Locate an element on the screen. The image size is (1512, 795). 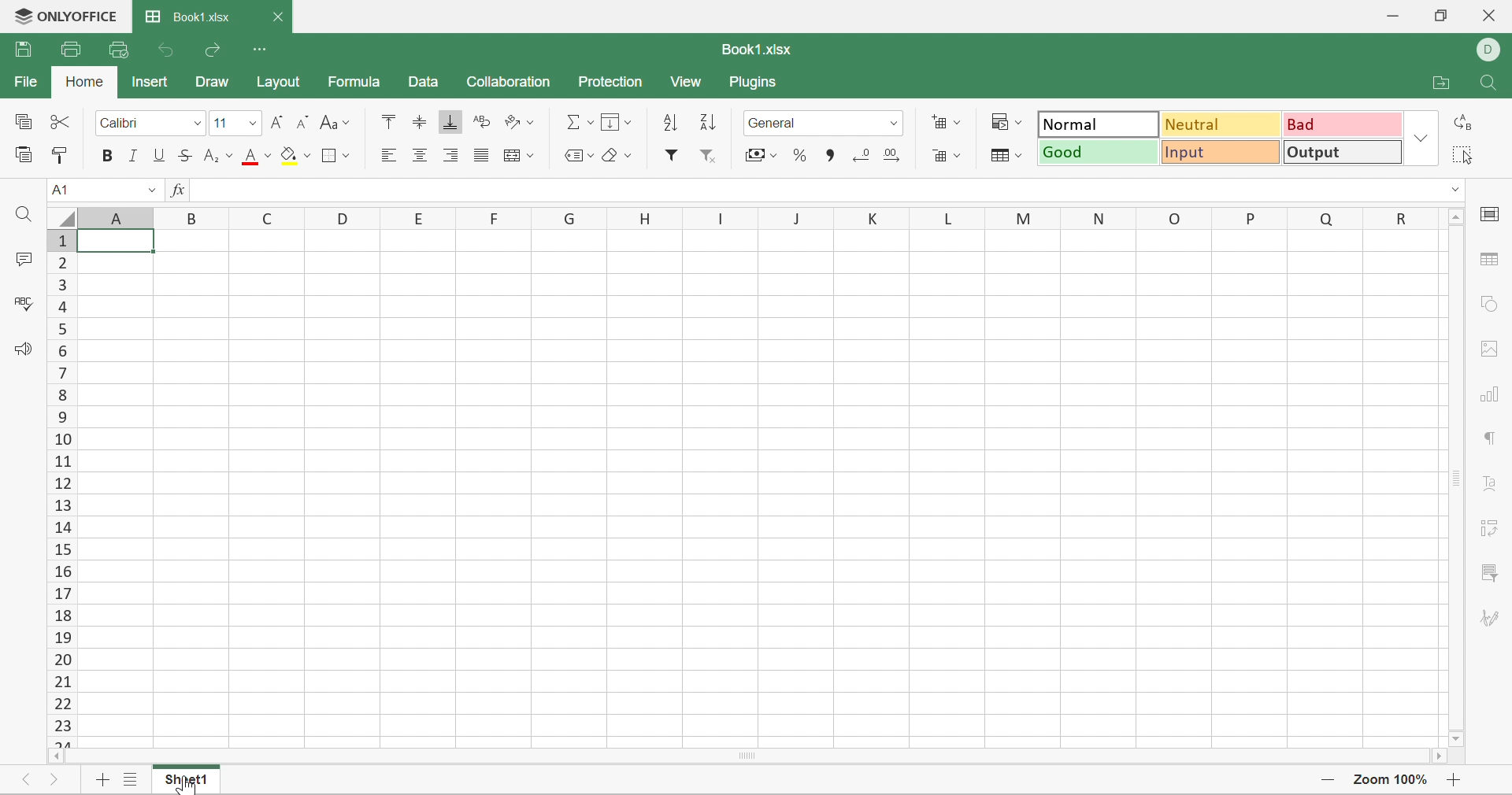
Named ranges is located at coordinates (573, 153).